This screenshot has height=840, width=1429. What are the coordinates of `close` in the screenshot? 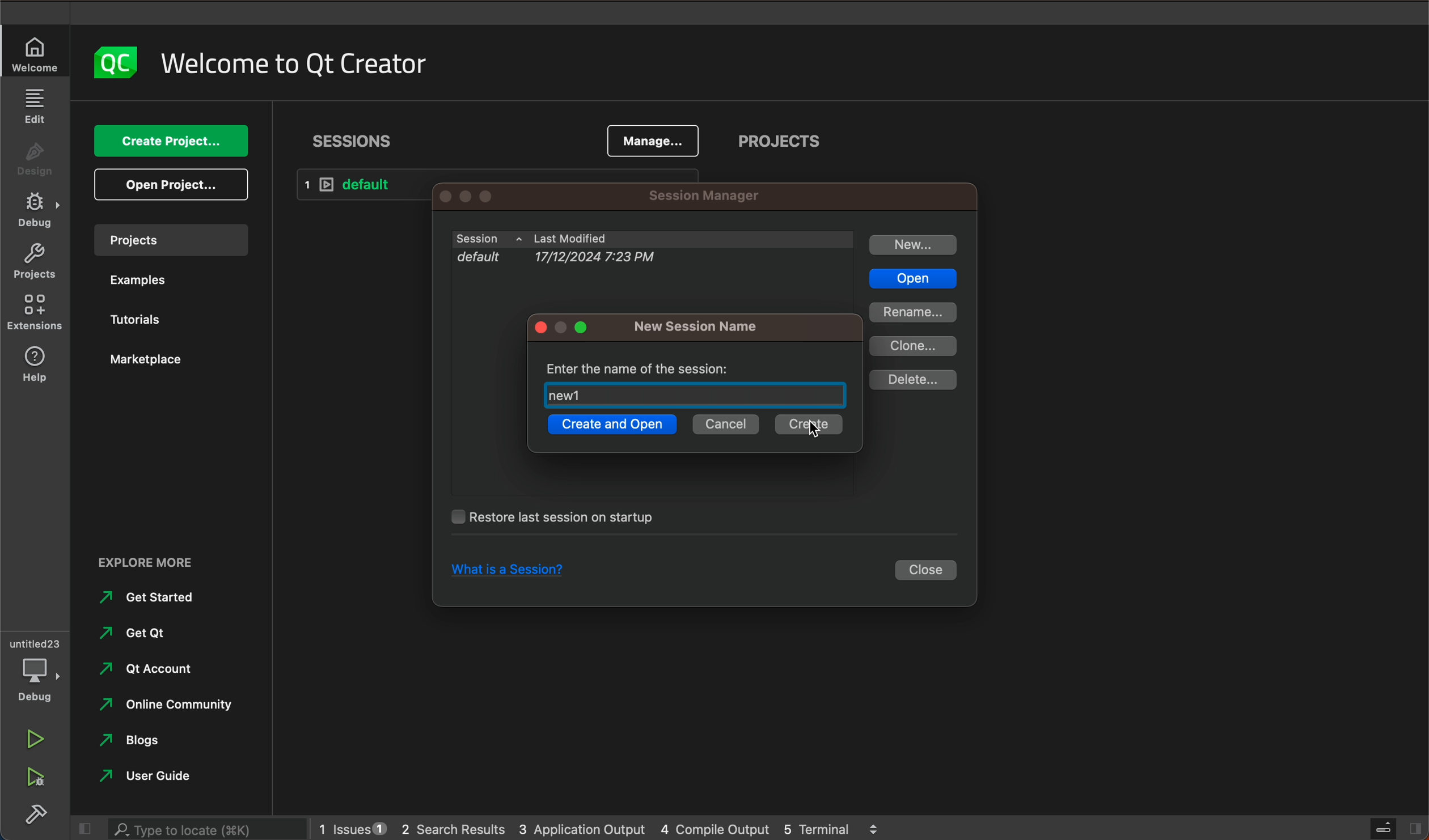 It's located at (928, 571).